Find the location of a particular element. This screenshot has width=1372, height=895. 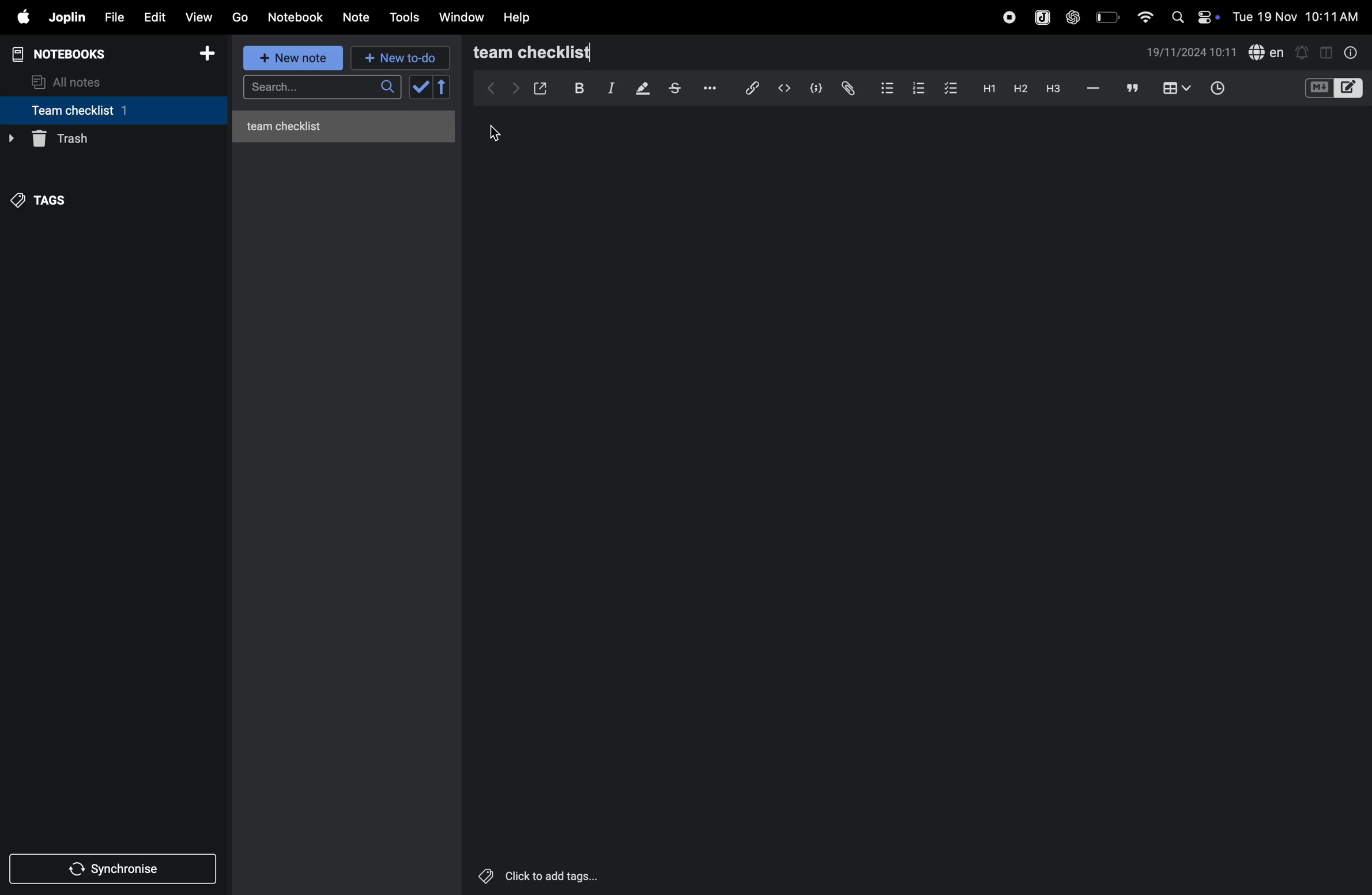

options is located at coordinates (708, 88).